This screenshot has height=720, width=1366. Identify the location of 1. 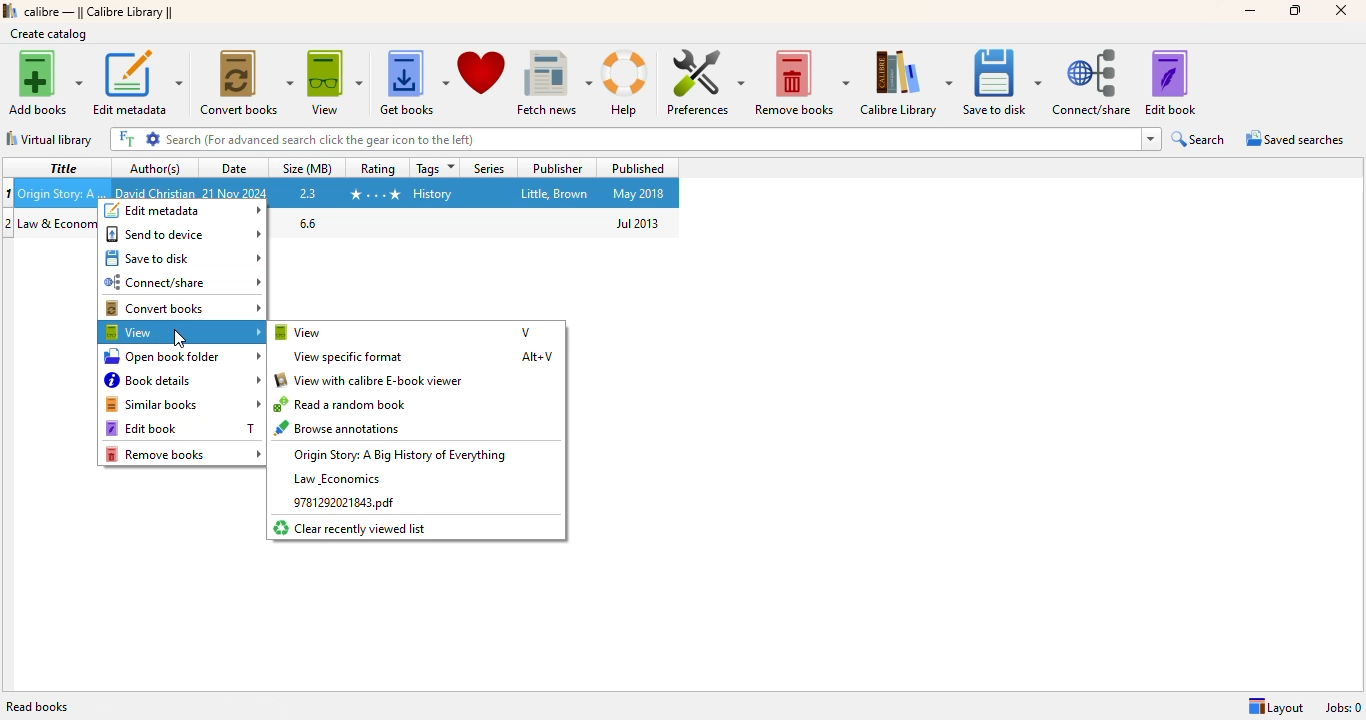
(9, 193).